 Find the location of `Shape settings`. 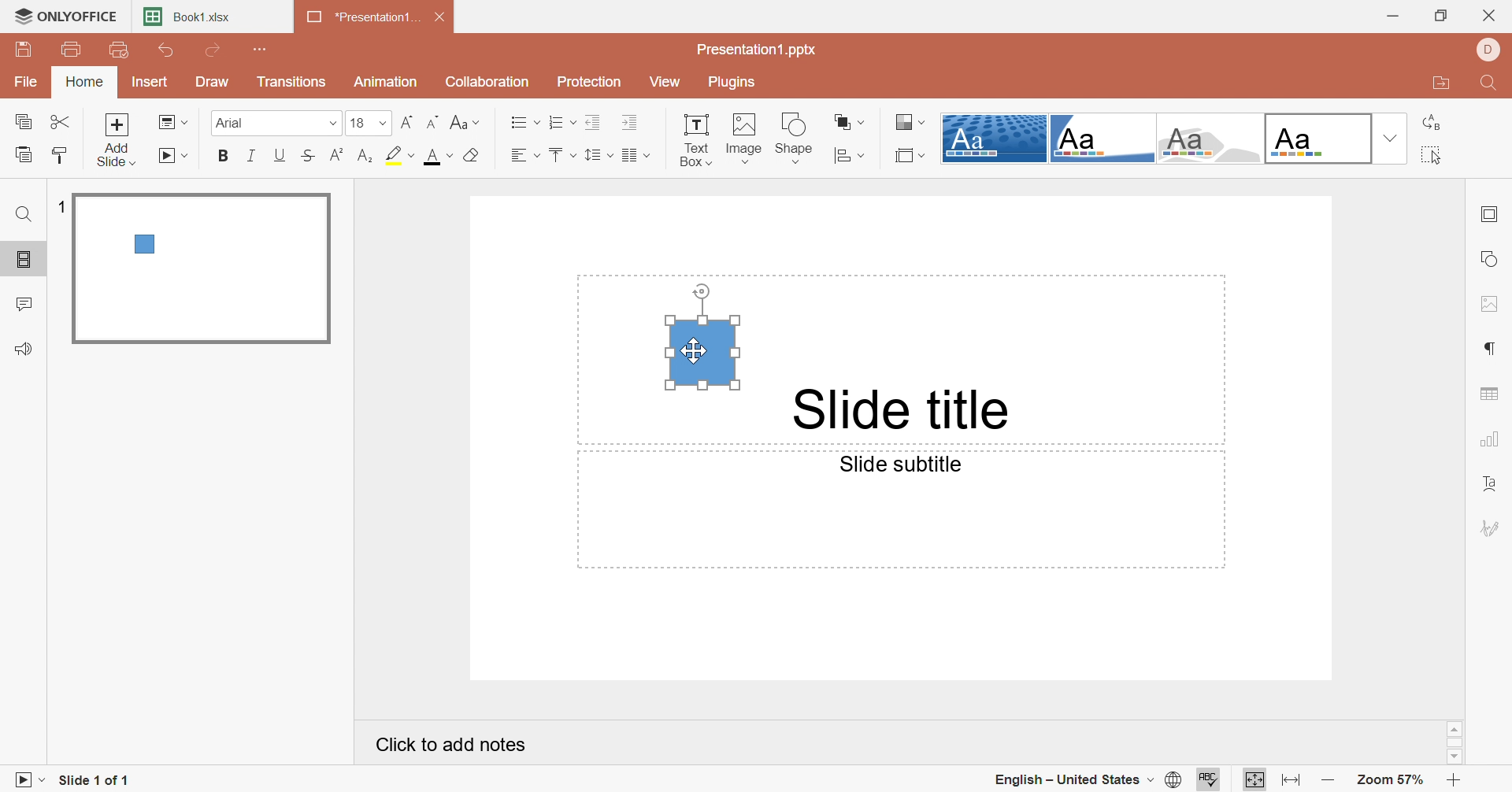

Shape settings is located at coordinates (1493, 264).